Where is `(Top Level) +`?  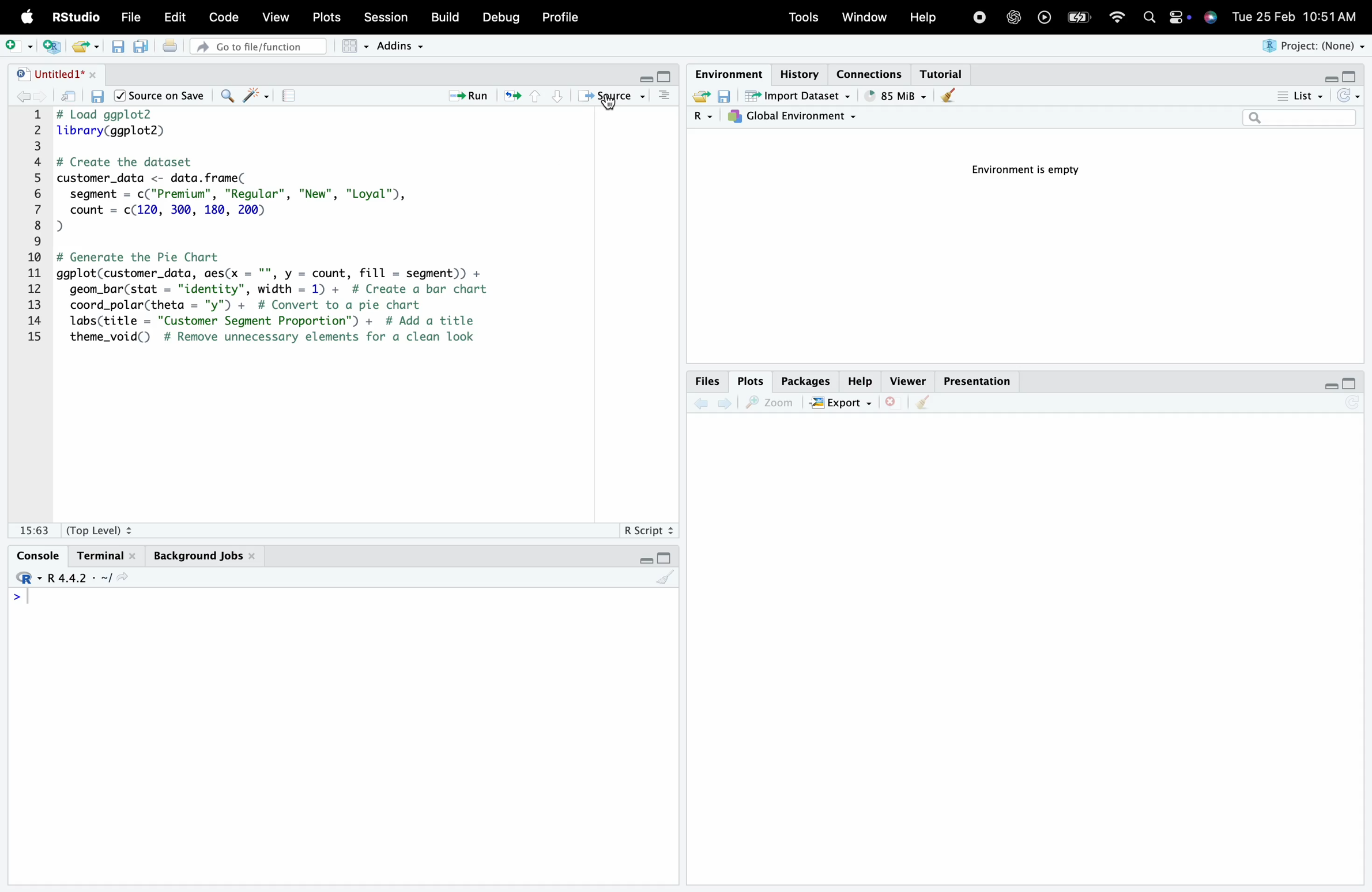 (Top Level) + is located at coordinates (99, 530).